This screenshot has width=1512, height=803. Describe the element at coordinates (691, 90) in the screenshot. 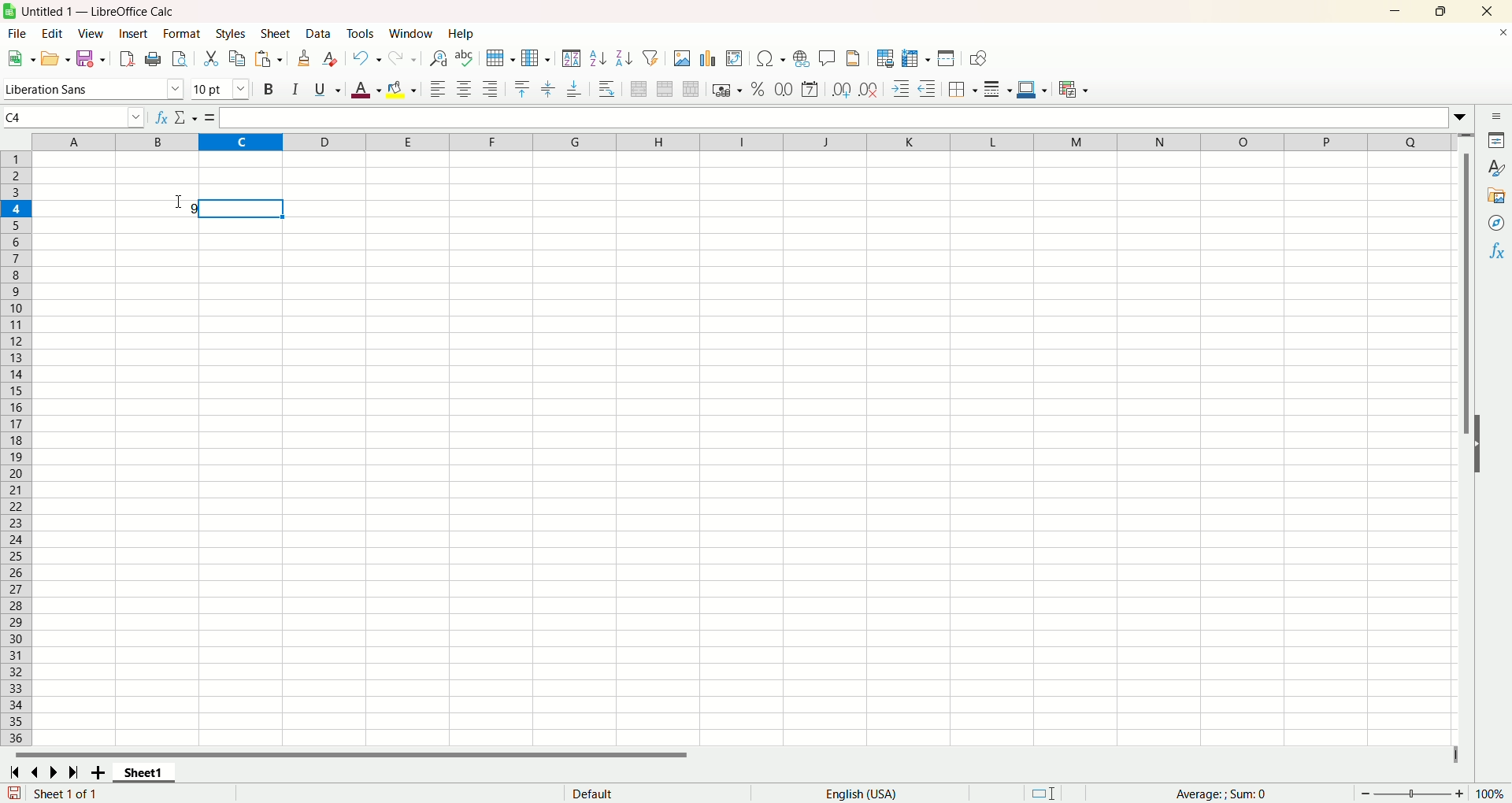

I see `unmerge cell` at that location.